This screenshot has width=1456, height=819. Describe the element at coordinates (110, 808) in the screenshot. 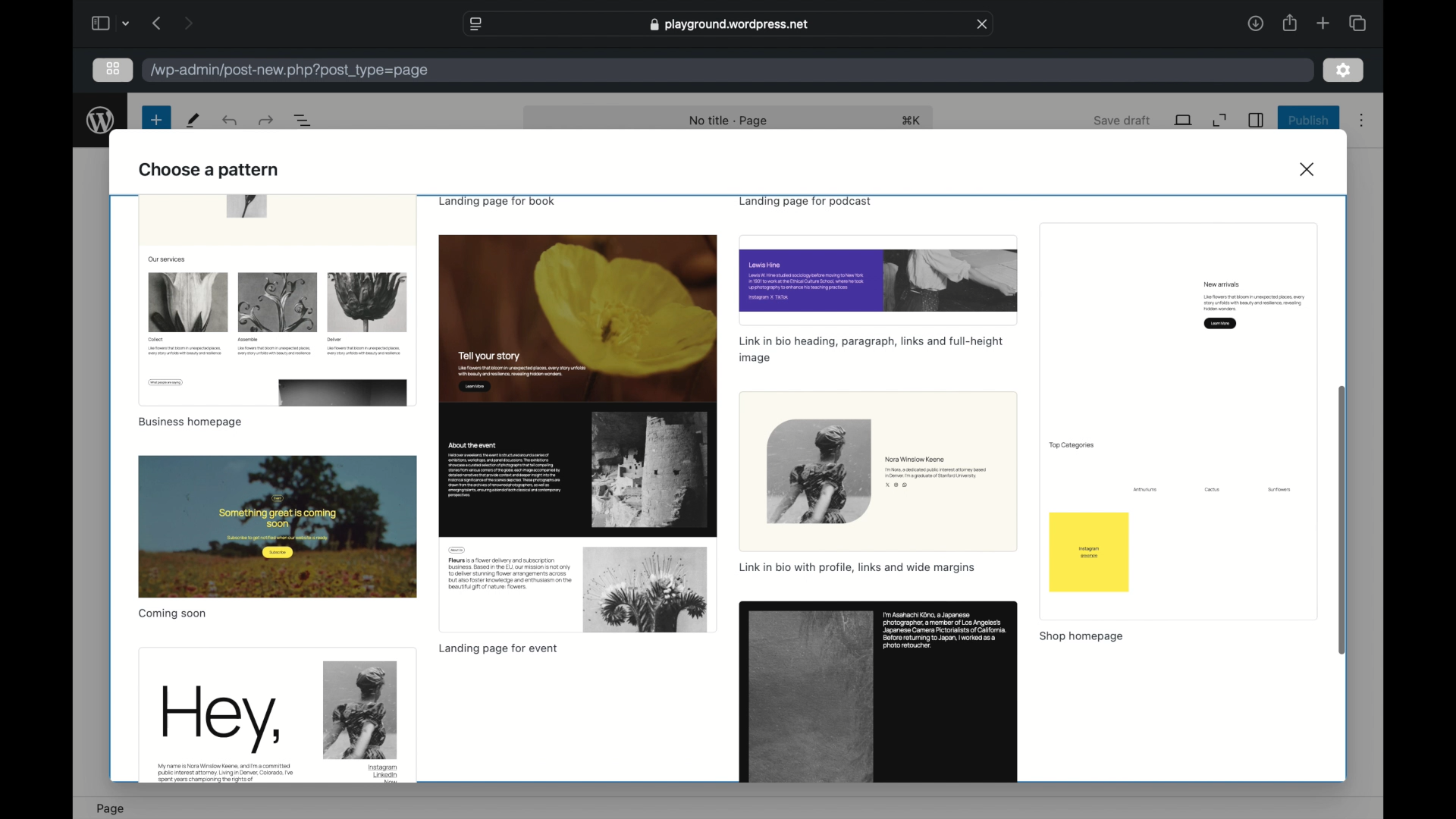

I see `page` at that location.